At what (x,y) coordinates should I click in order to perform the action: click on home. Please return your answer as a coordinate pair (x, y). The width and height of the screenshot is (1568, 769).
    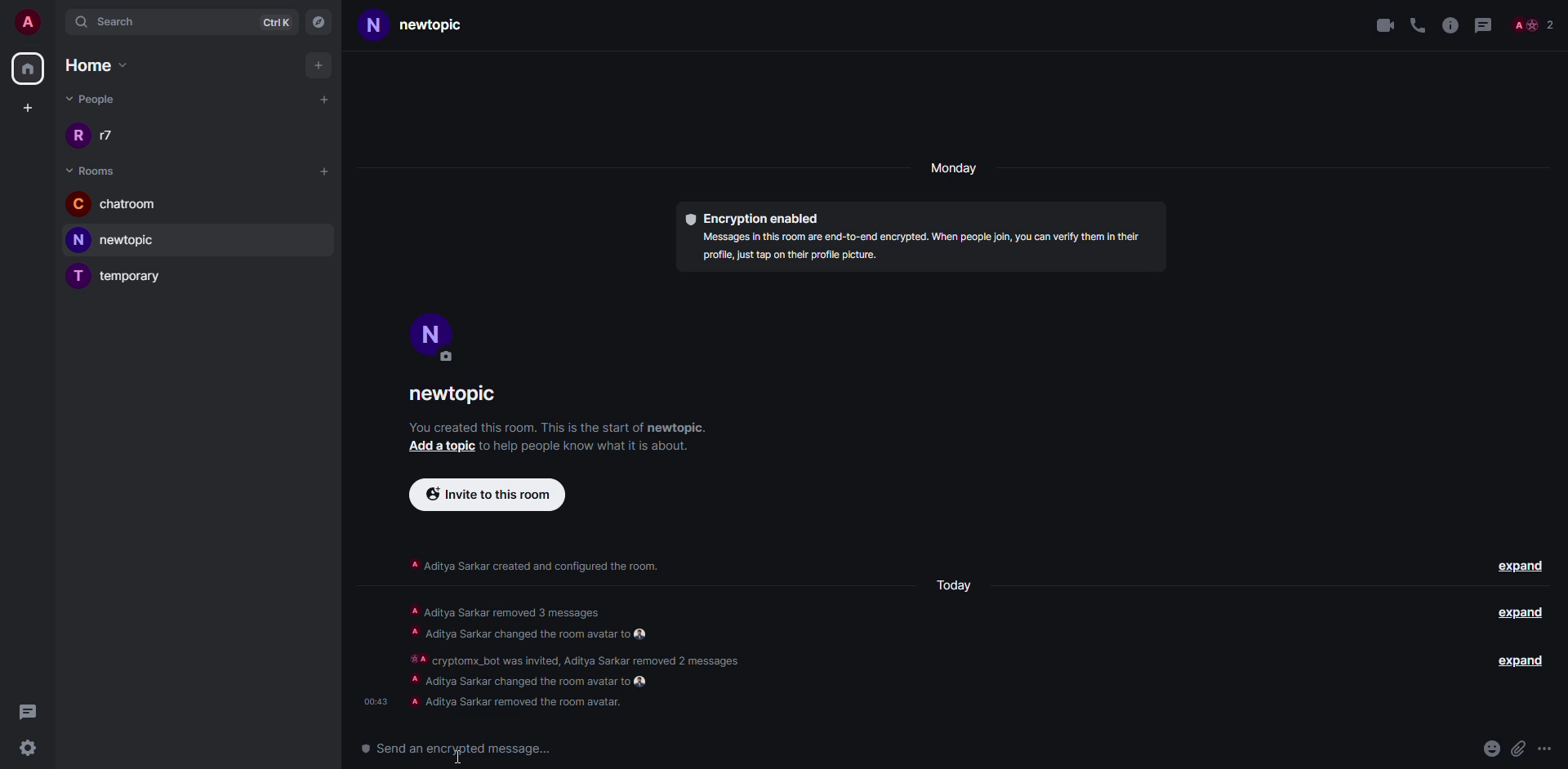
    Looking at the image, I should click on (106, 65).